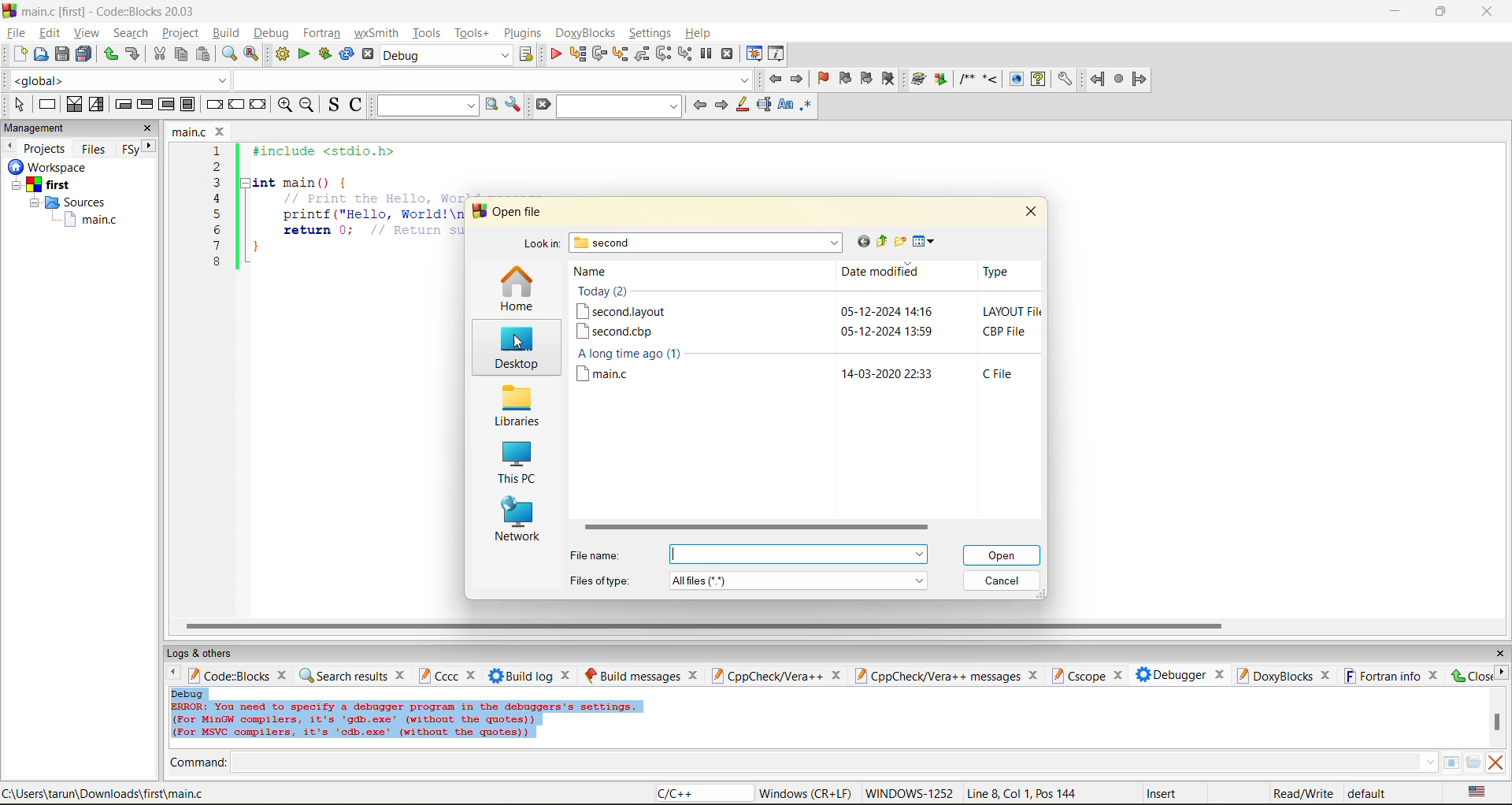 The height and width of the screenshot is (805, 1512). What do you see at coordinates (188, 693) in the screenshot?
I see `debug` at bounding box center [188, 693].